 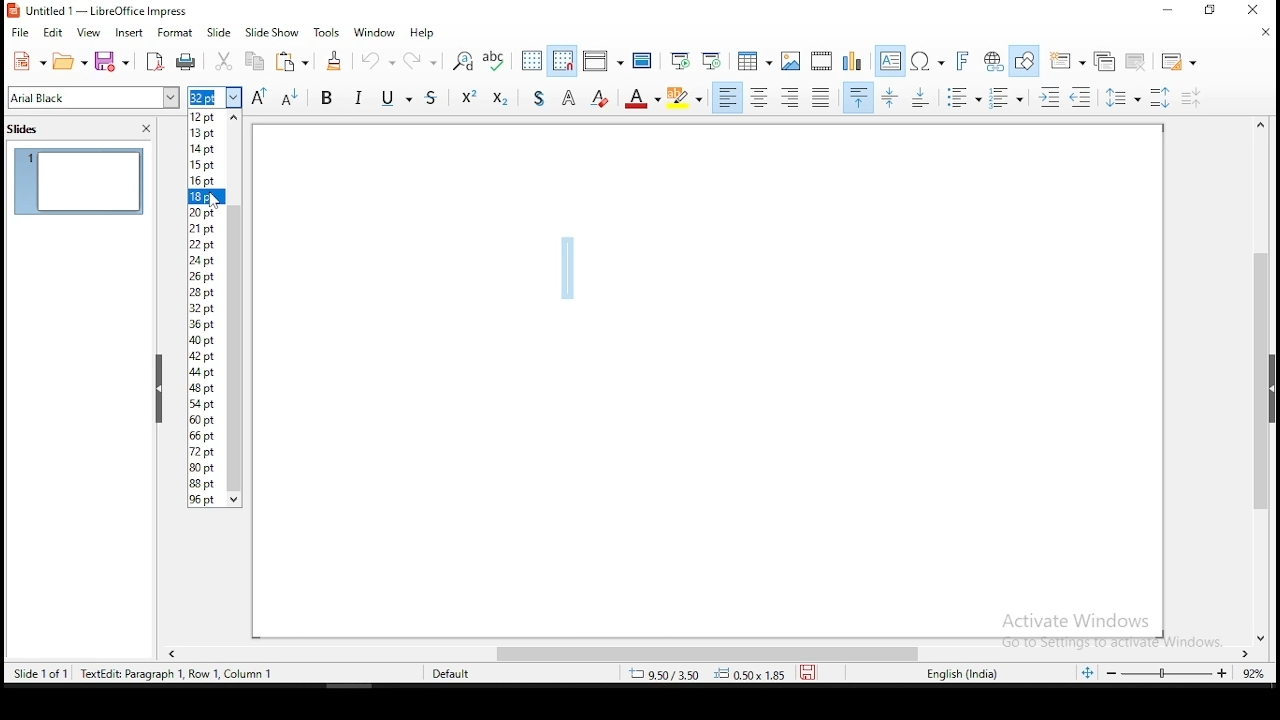 What do you see at coordinates (186, 63) in the screenshot?
I see `print` at bounding box center [186, 63].